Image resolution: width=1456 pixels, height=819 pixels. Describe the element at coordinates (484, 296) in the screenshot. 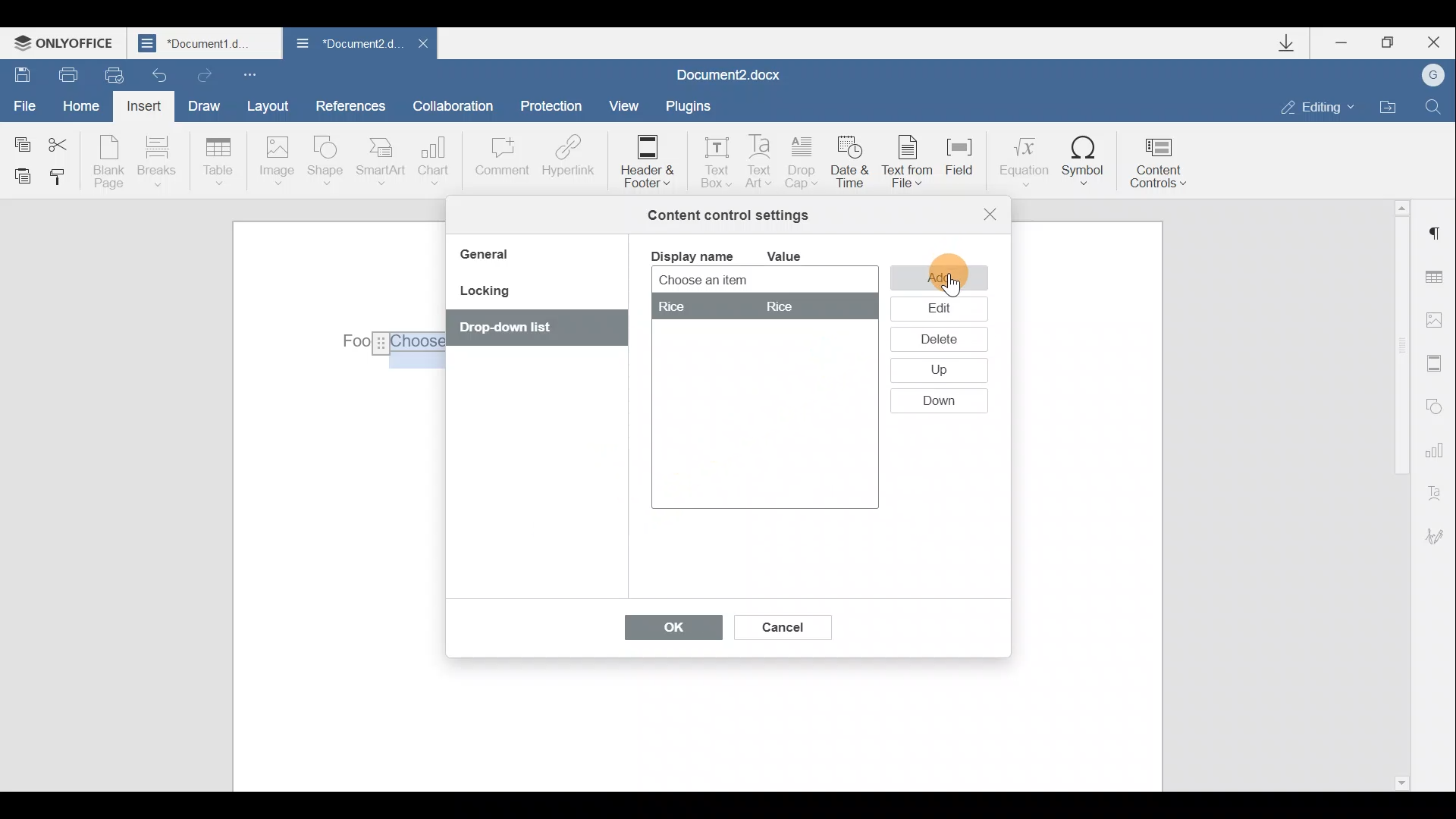

I see `Locking` at that location.